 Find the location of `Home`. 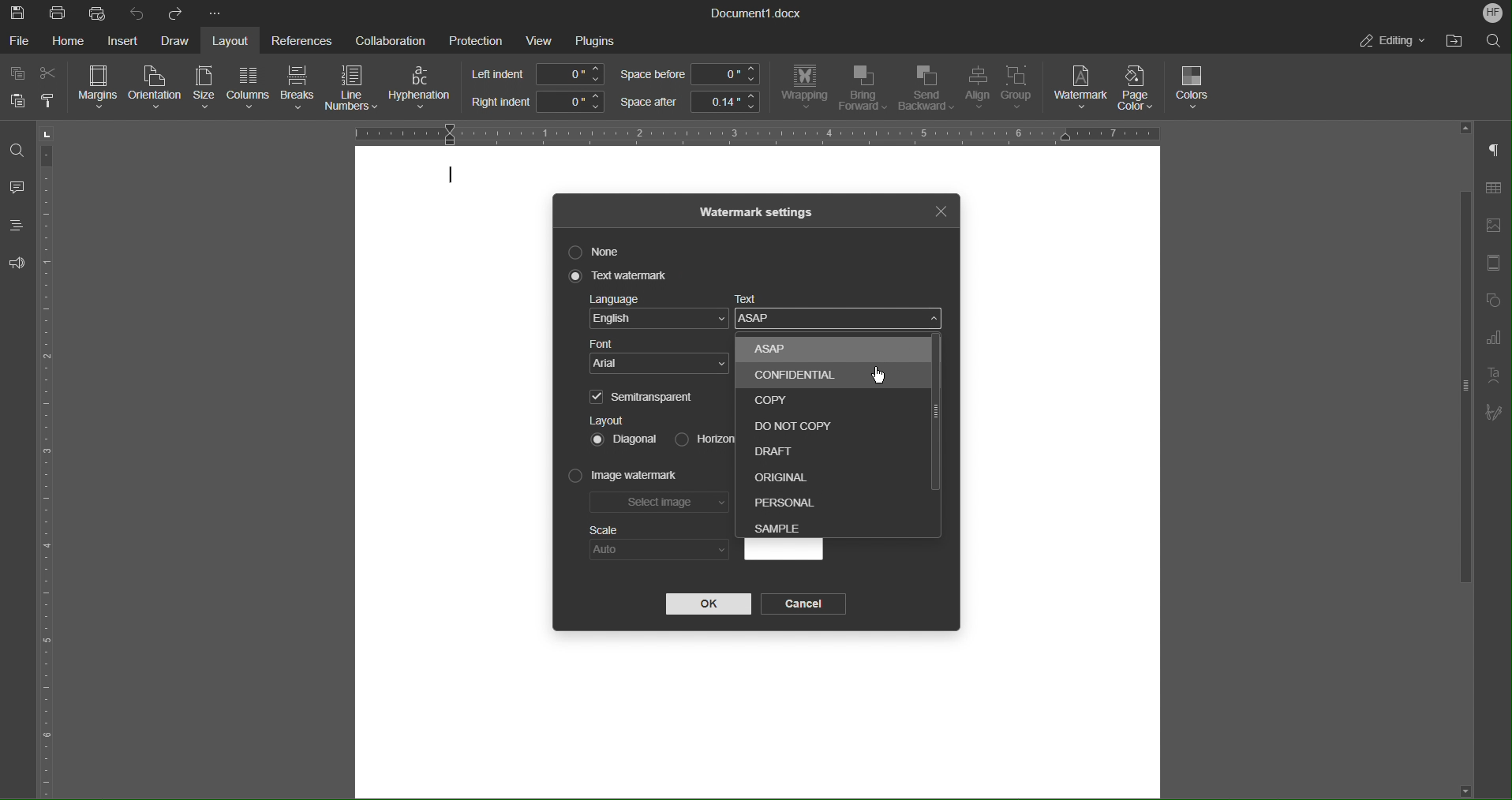

Home is located at coordinates (71, 41).